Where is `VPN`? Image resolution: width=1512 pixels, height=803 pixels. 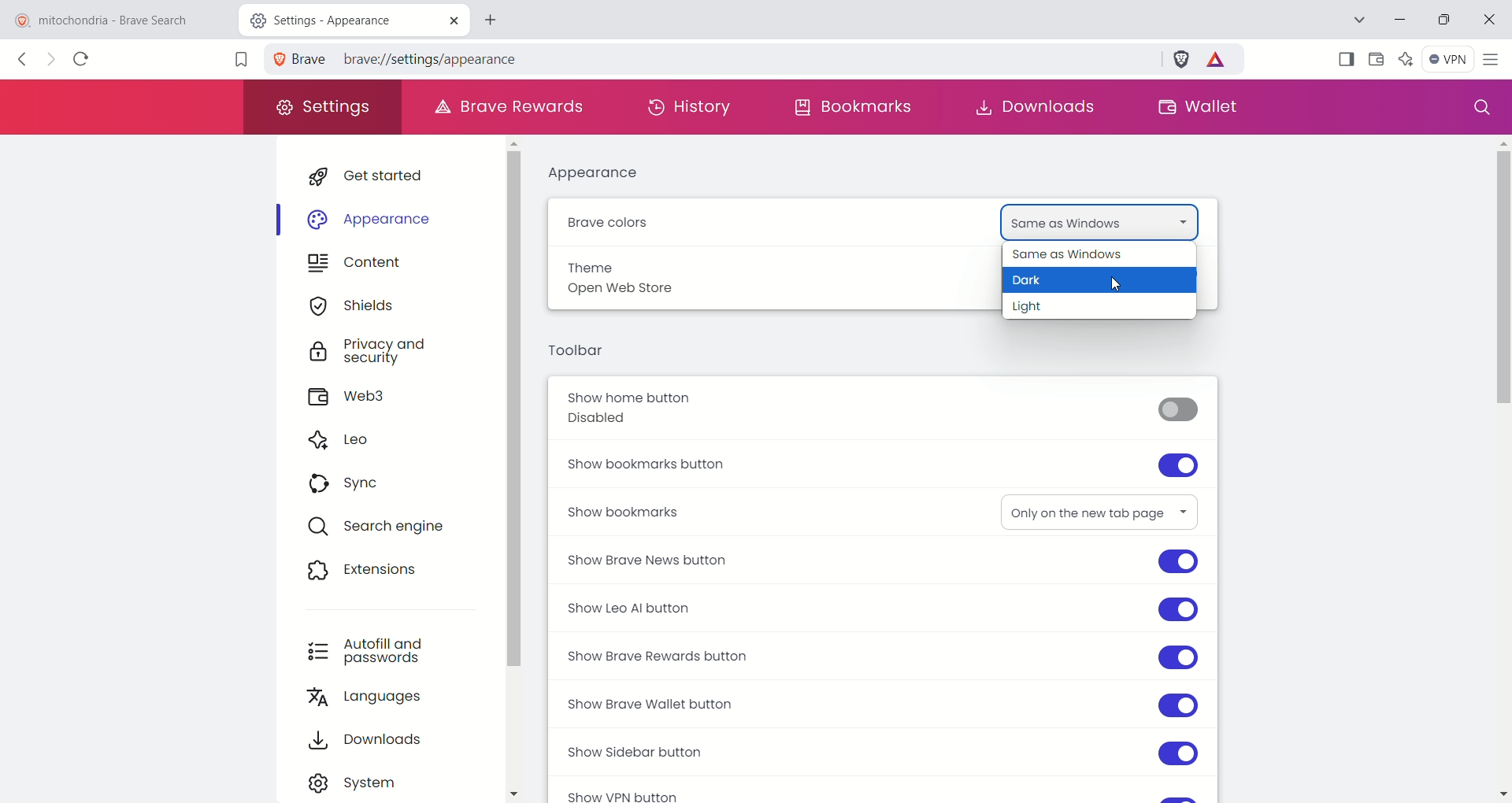 VPN is located at coordinates (1447, 58).